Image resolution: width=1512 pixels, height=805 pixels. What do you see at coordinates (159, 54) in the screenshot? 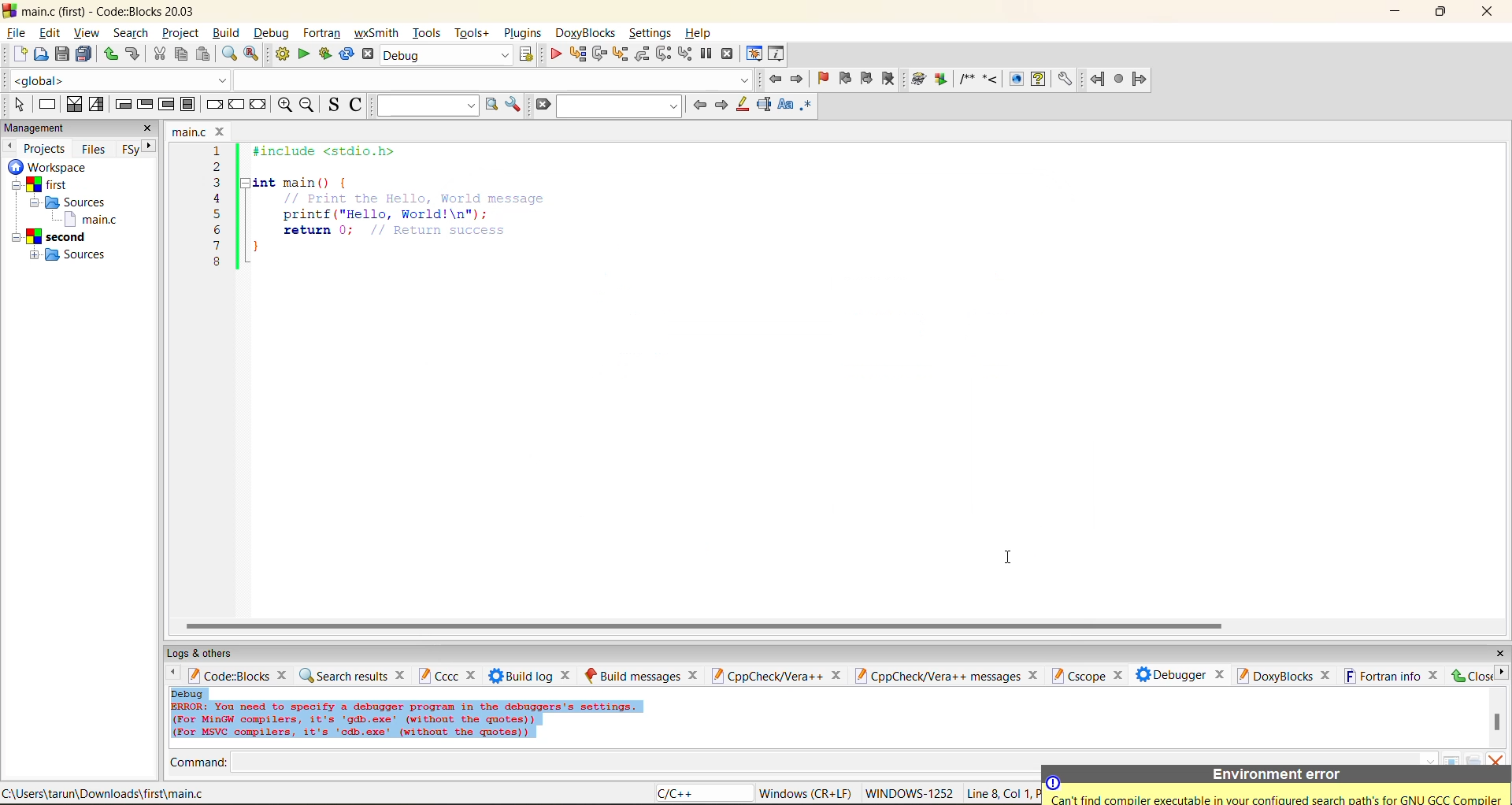
I see `cut` at bounding box center [159, 54].